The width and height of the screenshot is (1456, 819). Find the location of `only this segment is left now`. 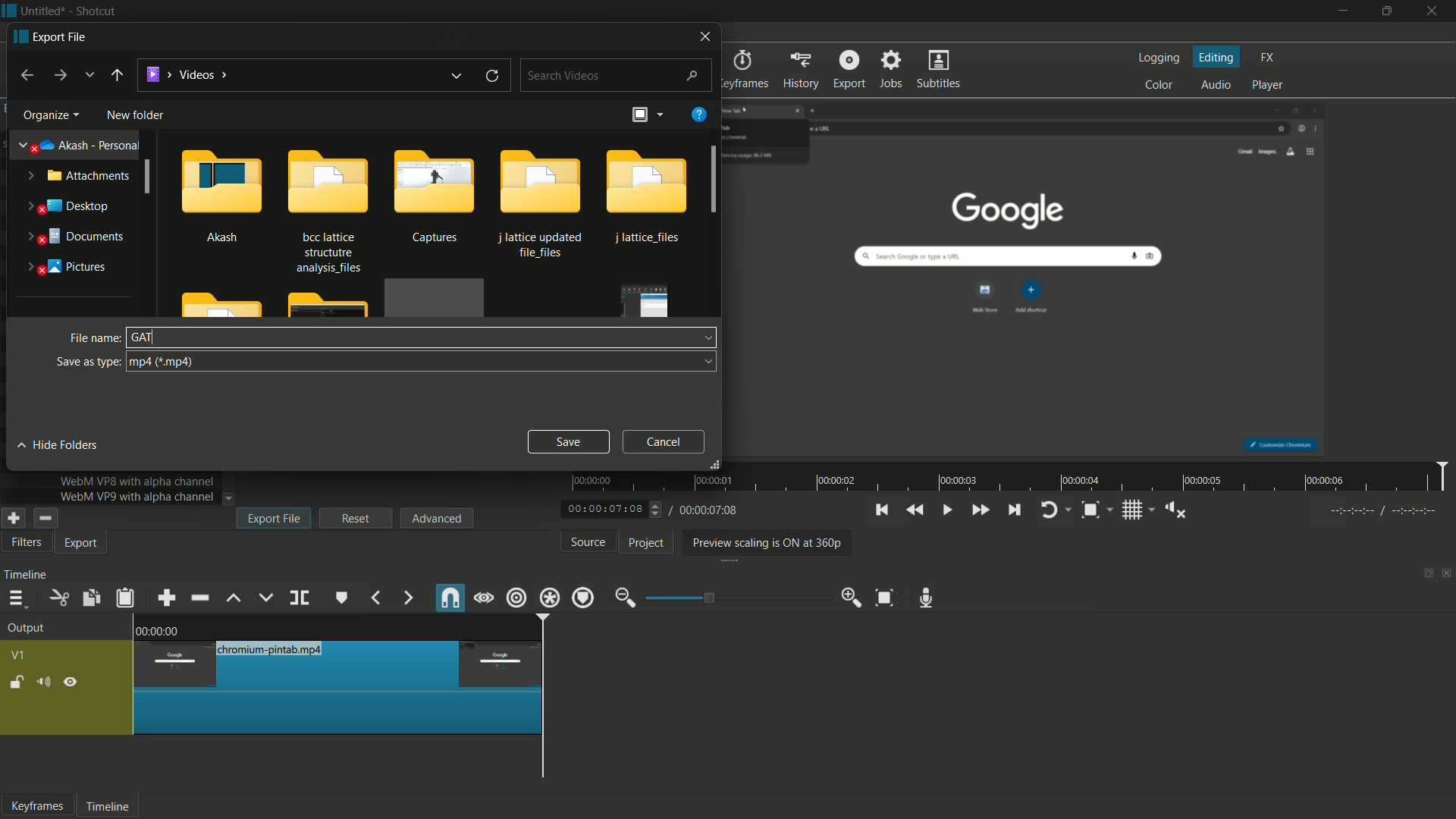

only this segment is left now is located at coordinates (339, 687).